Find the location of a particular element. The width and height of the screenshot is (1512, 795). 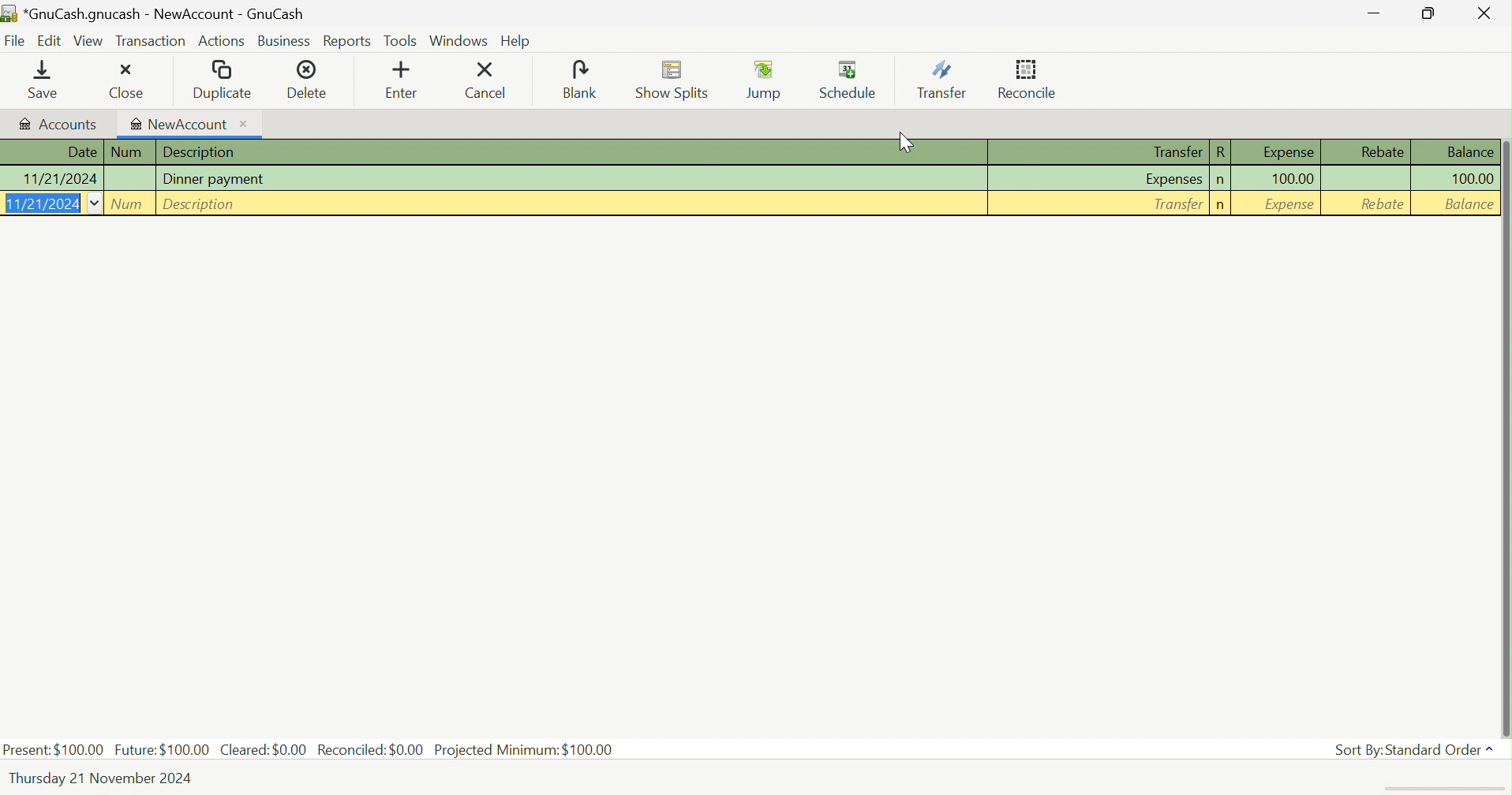

Help is located at coordinates (518, 43).